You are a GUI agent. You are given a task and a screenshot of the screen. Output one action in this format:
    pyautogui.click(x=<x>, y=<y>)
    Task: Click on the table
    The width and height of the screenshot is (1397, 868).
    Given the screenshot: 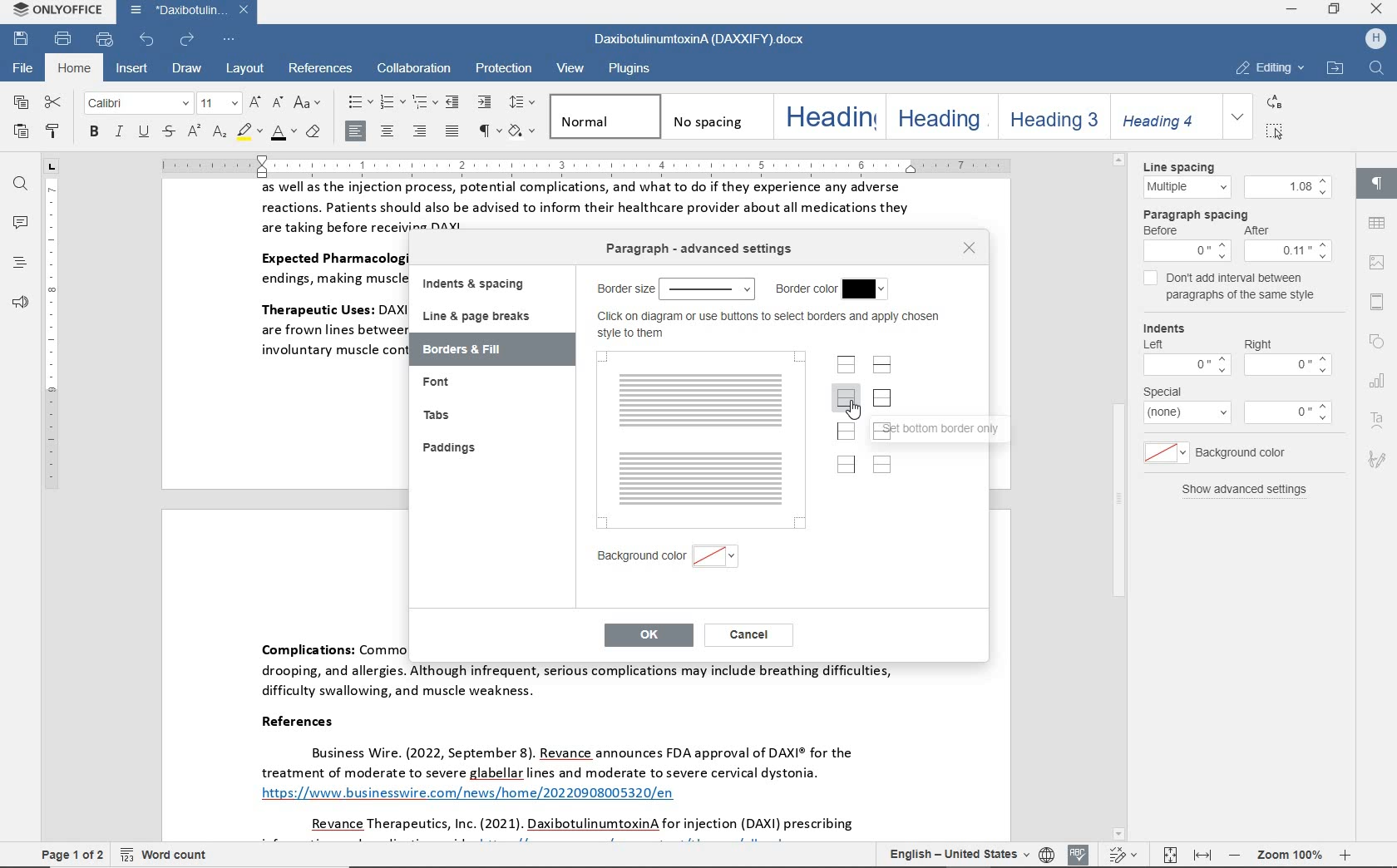 What is the action you would take?
    pyautogui.click(x=1375, y=224)
    